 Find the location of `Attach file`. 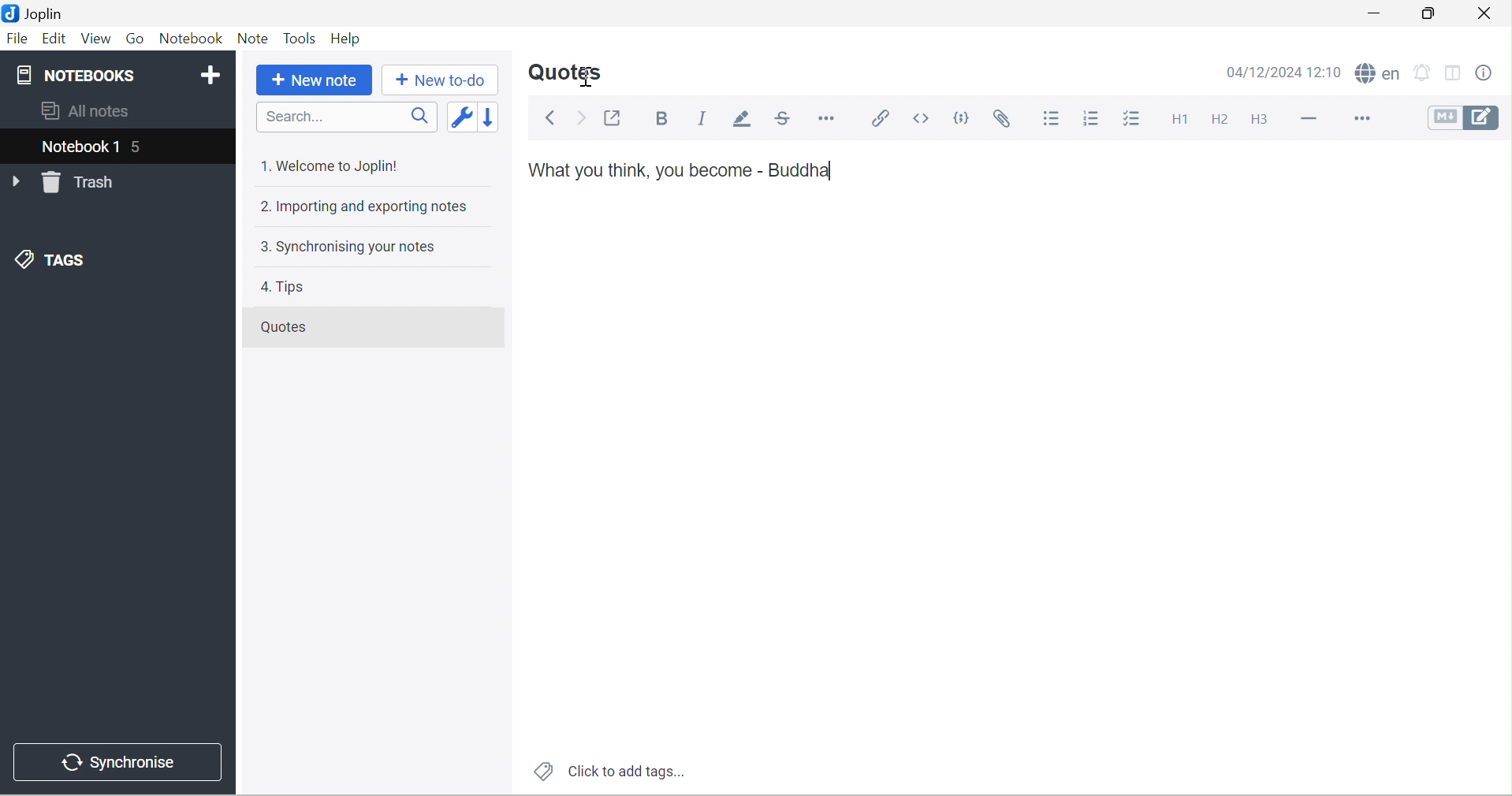

Attach file is located at coordinates (1011, 119).